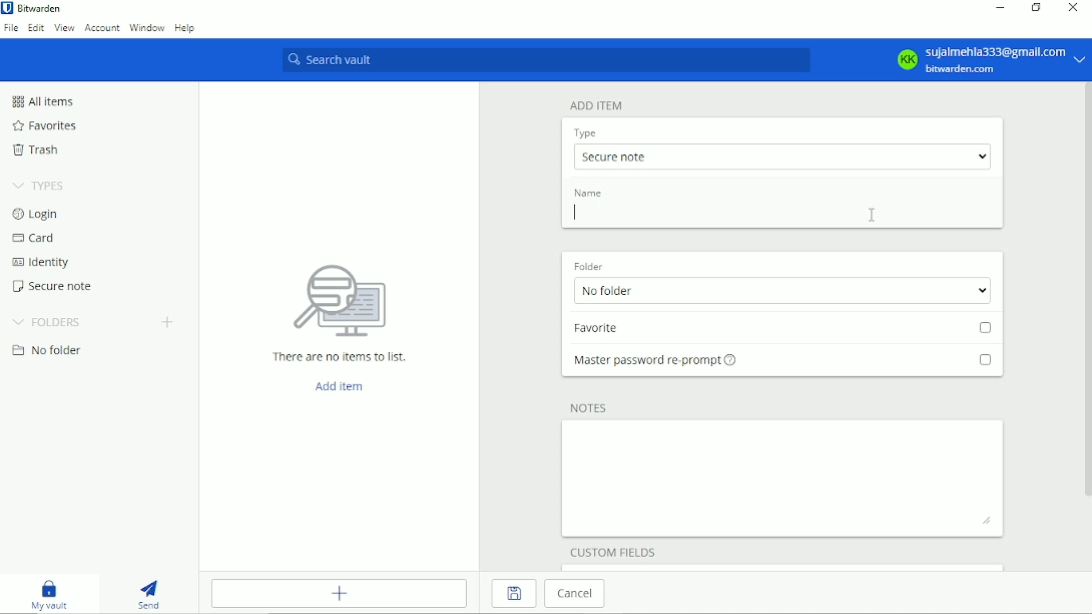 This screenshot has width=1092, height=614. I want to click on Cancel, so click(578, 594).